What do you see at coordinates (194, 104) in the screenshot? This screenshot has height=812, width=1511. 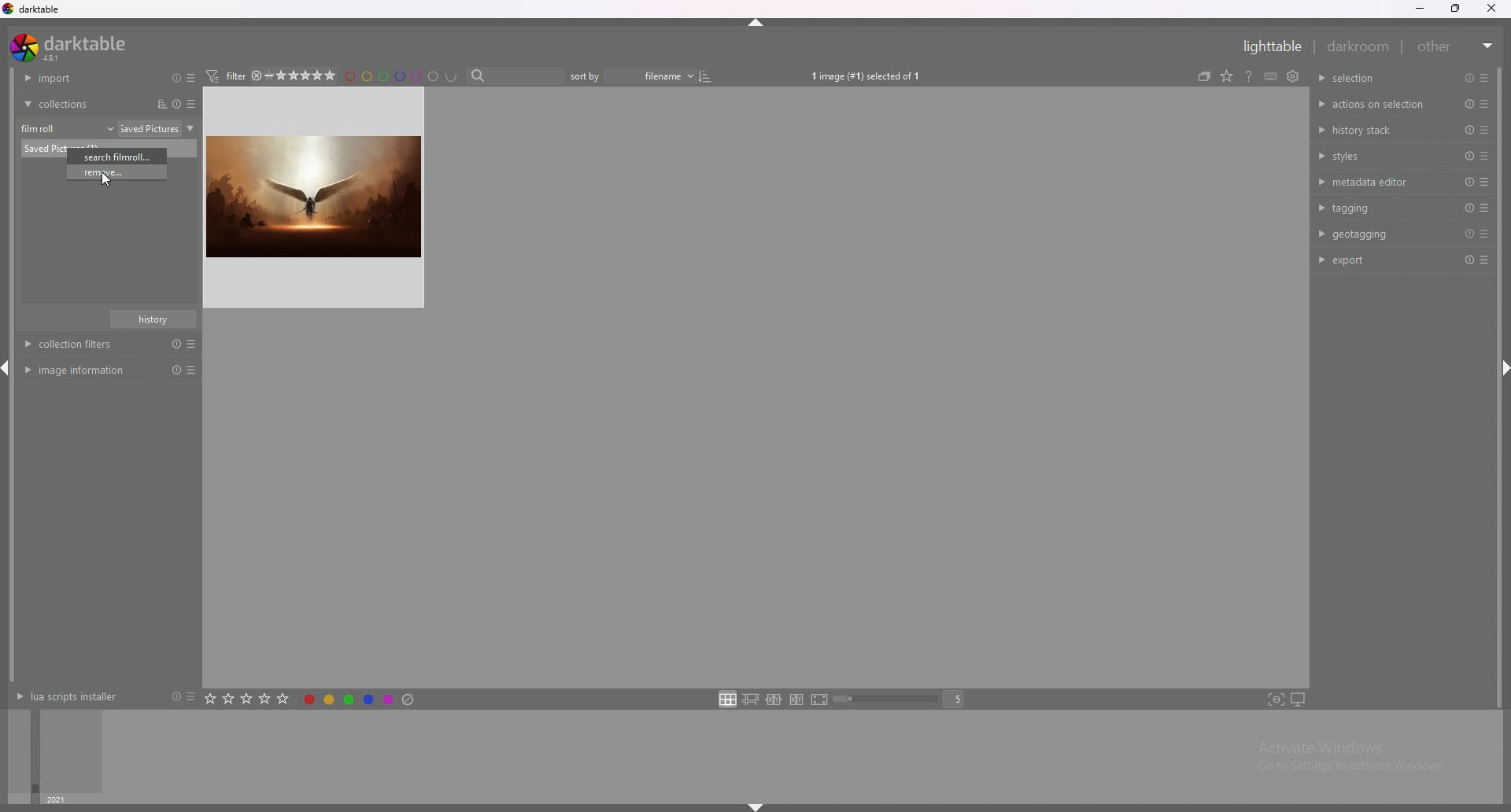 I see `presets` at bounding box center [194, 104].